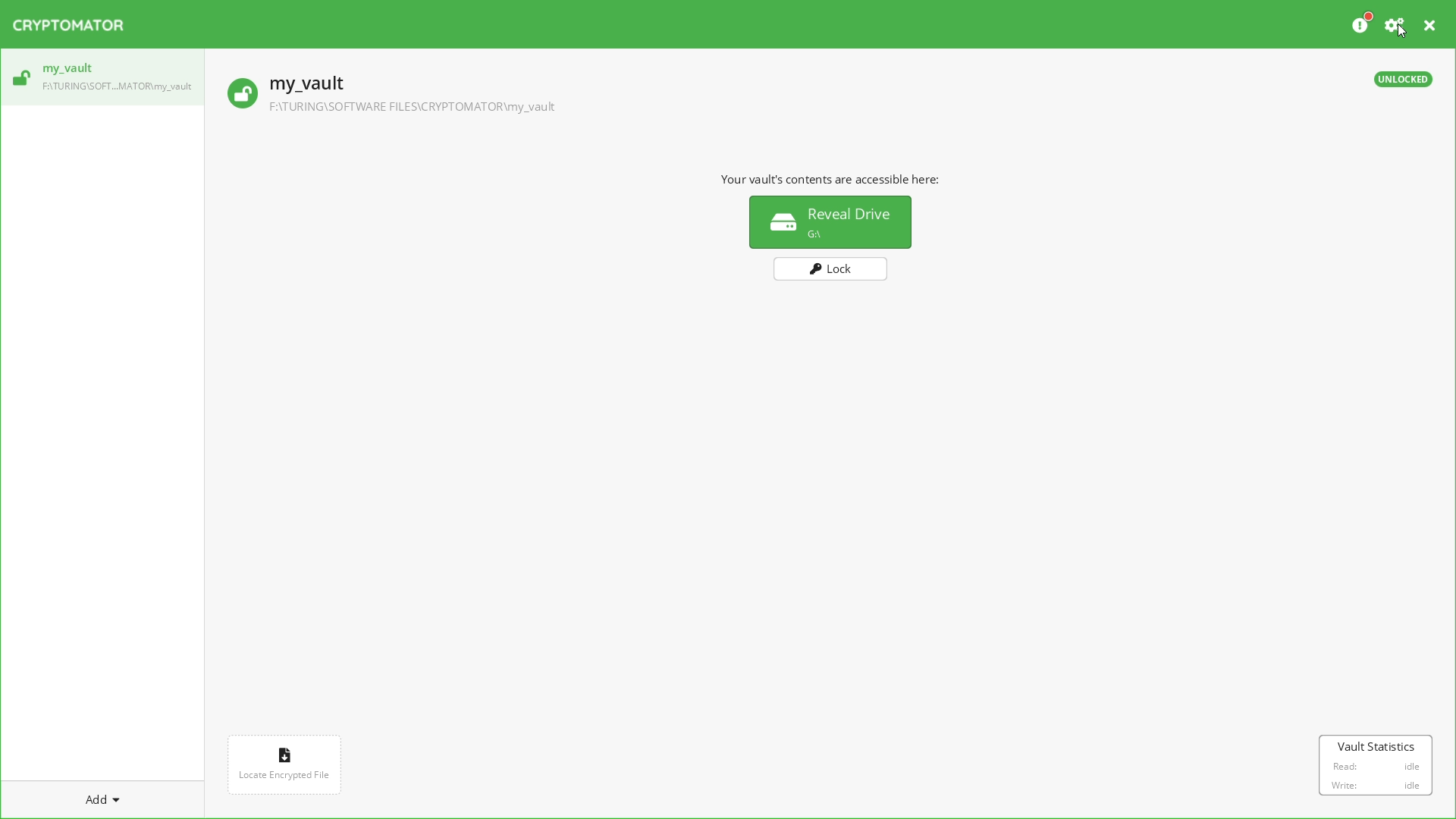  What do you see at coordinates (1379, 767) in the screenshot?
I see `Vault Statistics` at bounding box center [1379, 767].